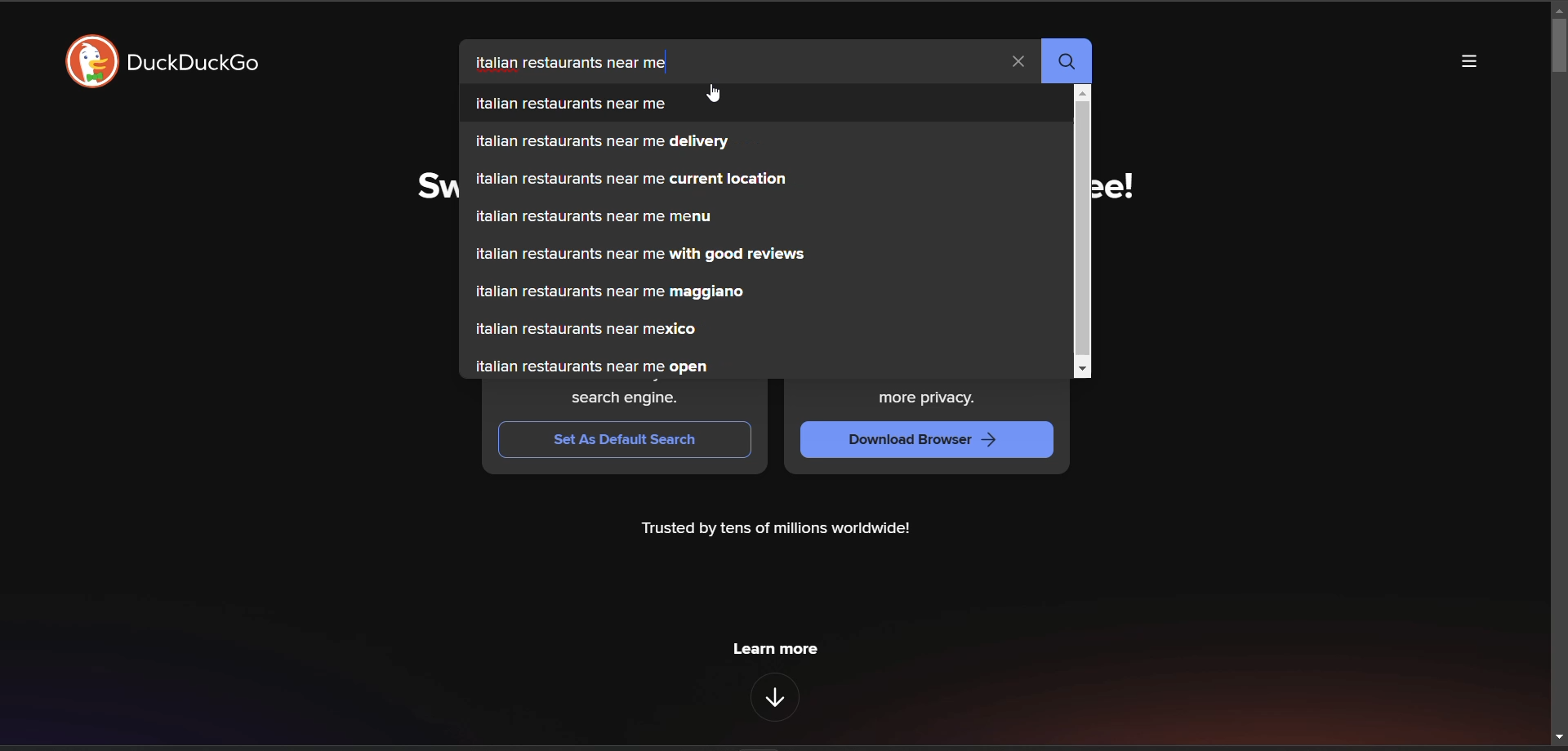 The height and width of the screenshot is (751, 1568). I want to click on italian restaurants near me maggiano, so click(765, 293).